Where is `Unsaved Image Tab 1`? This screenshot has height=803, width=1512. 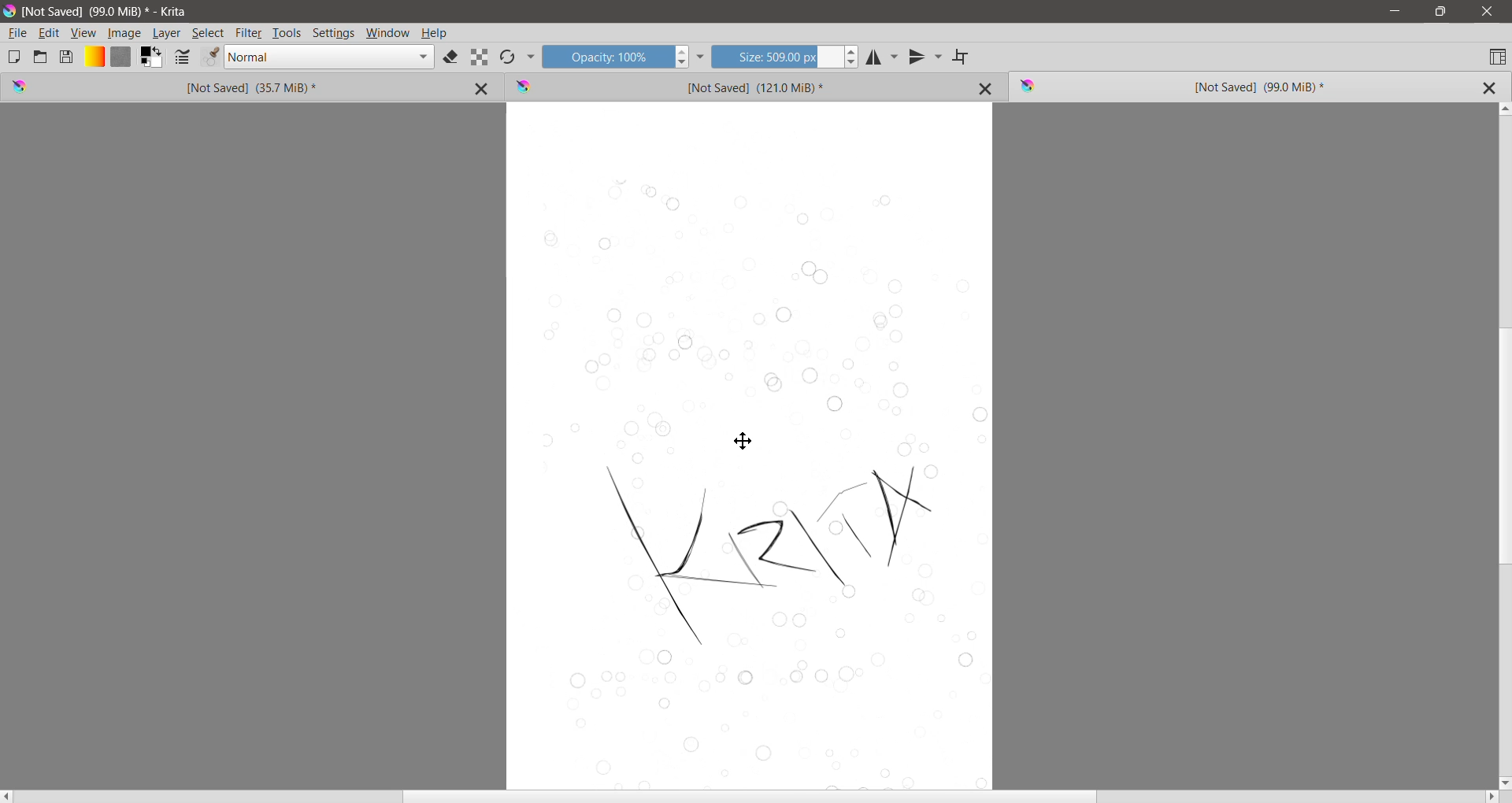
Unsaved Image Tab 1 is located at coordinates (201, 87).